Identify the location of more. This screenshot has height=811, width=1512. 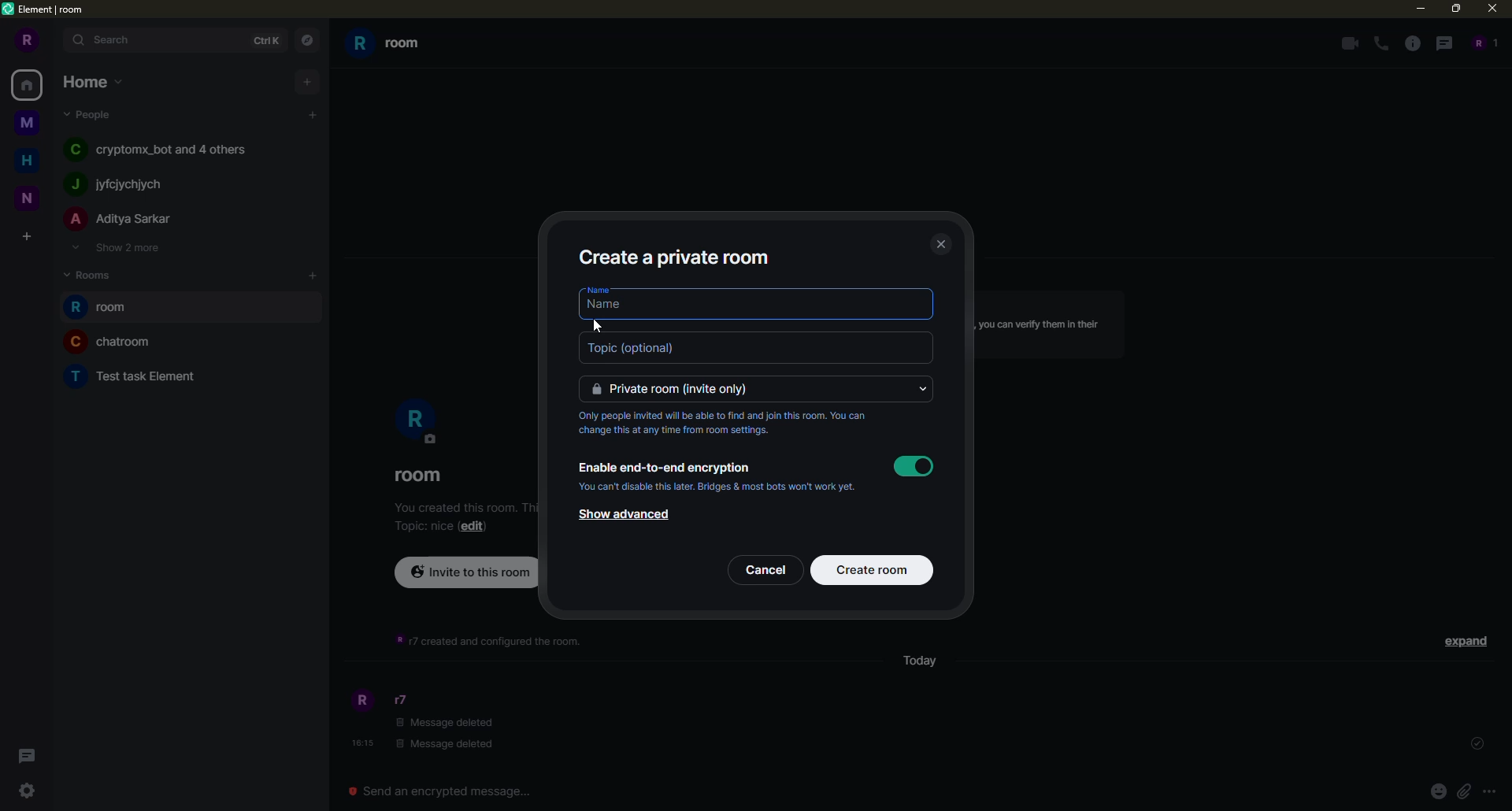
(1493, 793).